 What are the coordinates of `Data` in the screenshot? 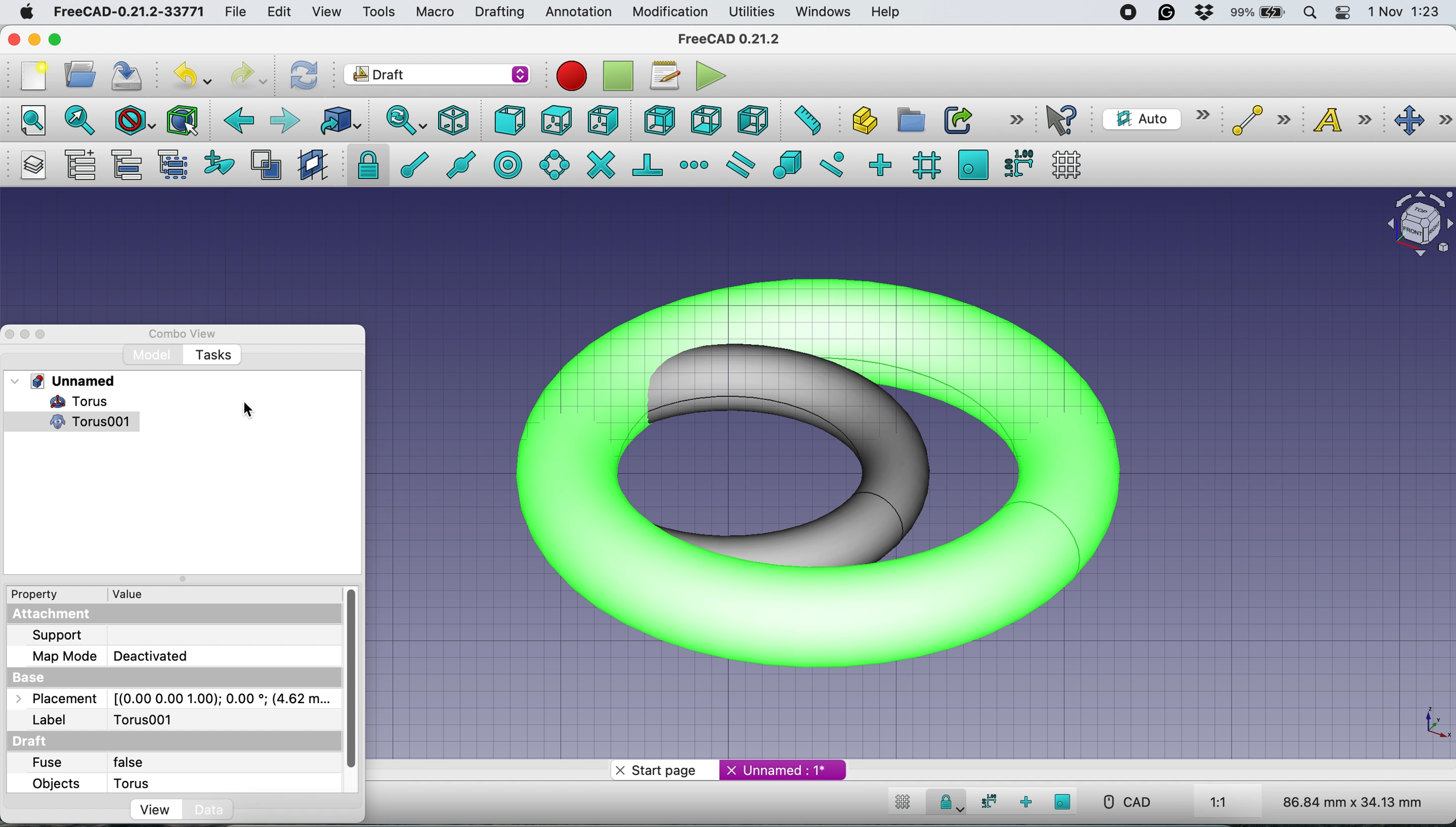 It's located at (211, 808).